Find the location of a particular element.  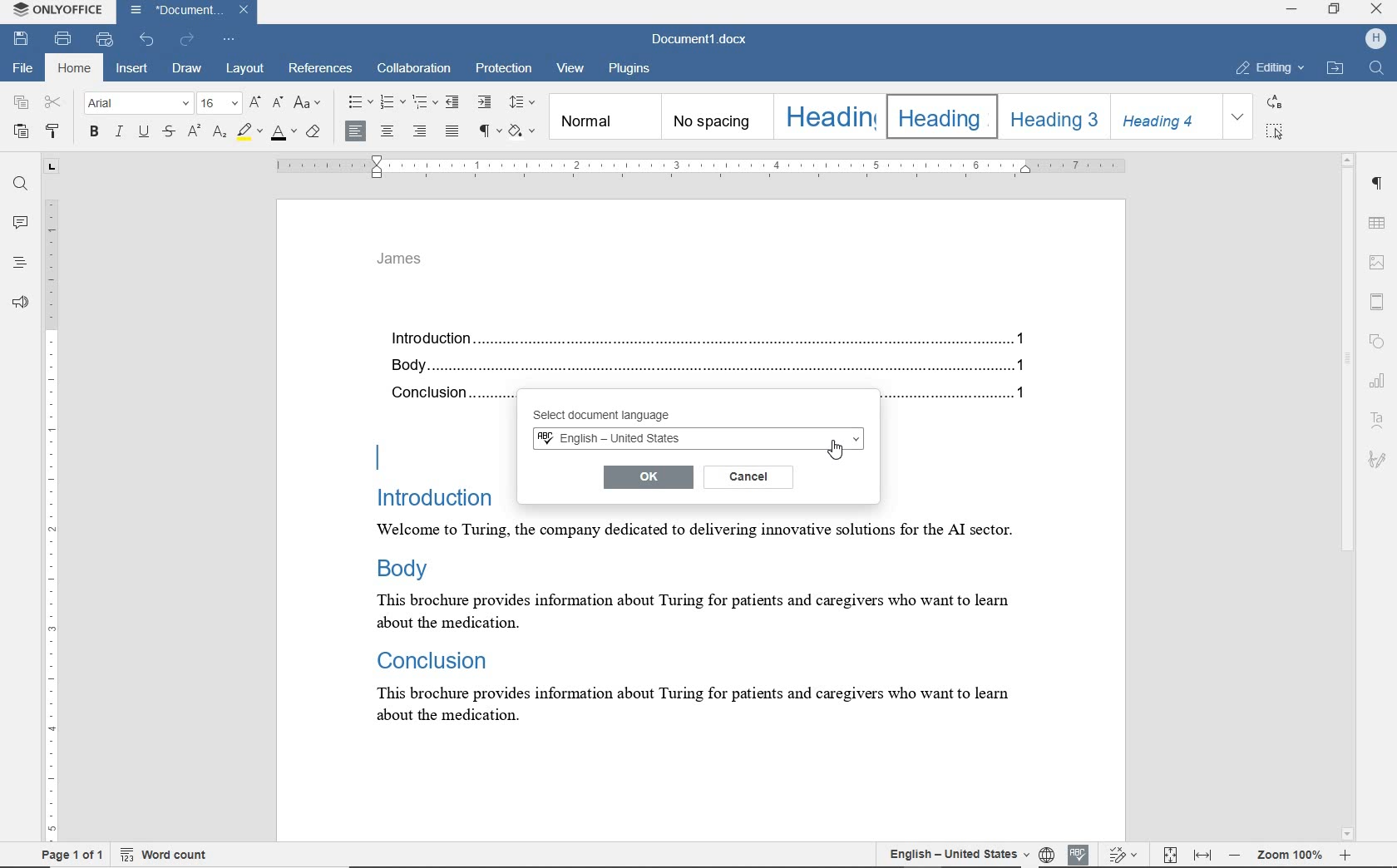

align left is located at coordinates (356, 131).